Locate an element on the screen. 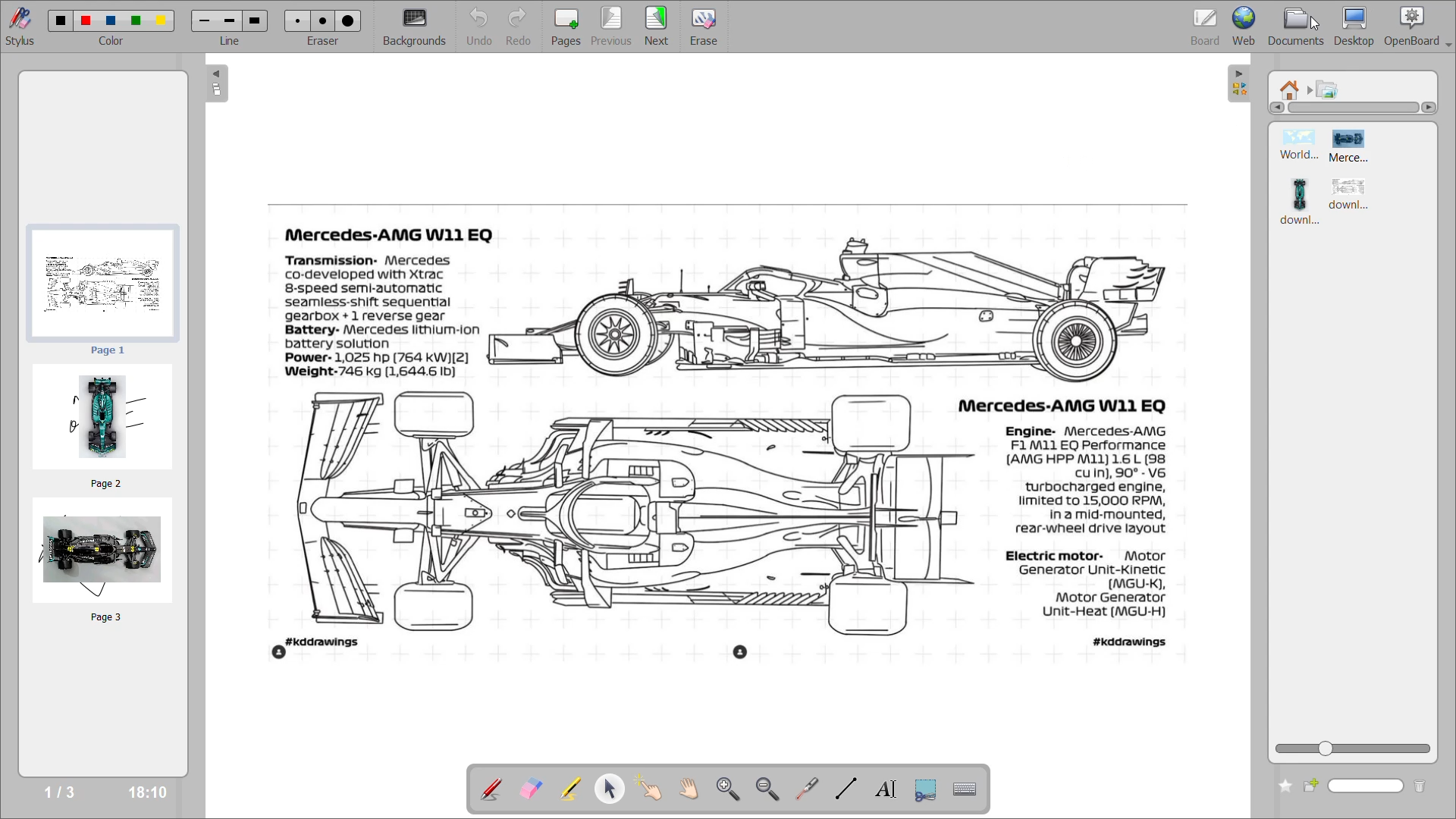 Image resolution: width=1456 pixels, height=819 pixels. mercedes image is located at coordinates (623, 512).